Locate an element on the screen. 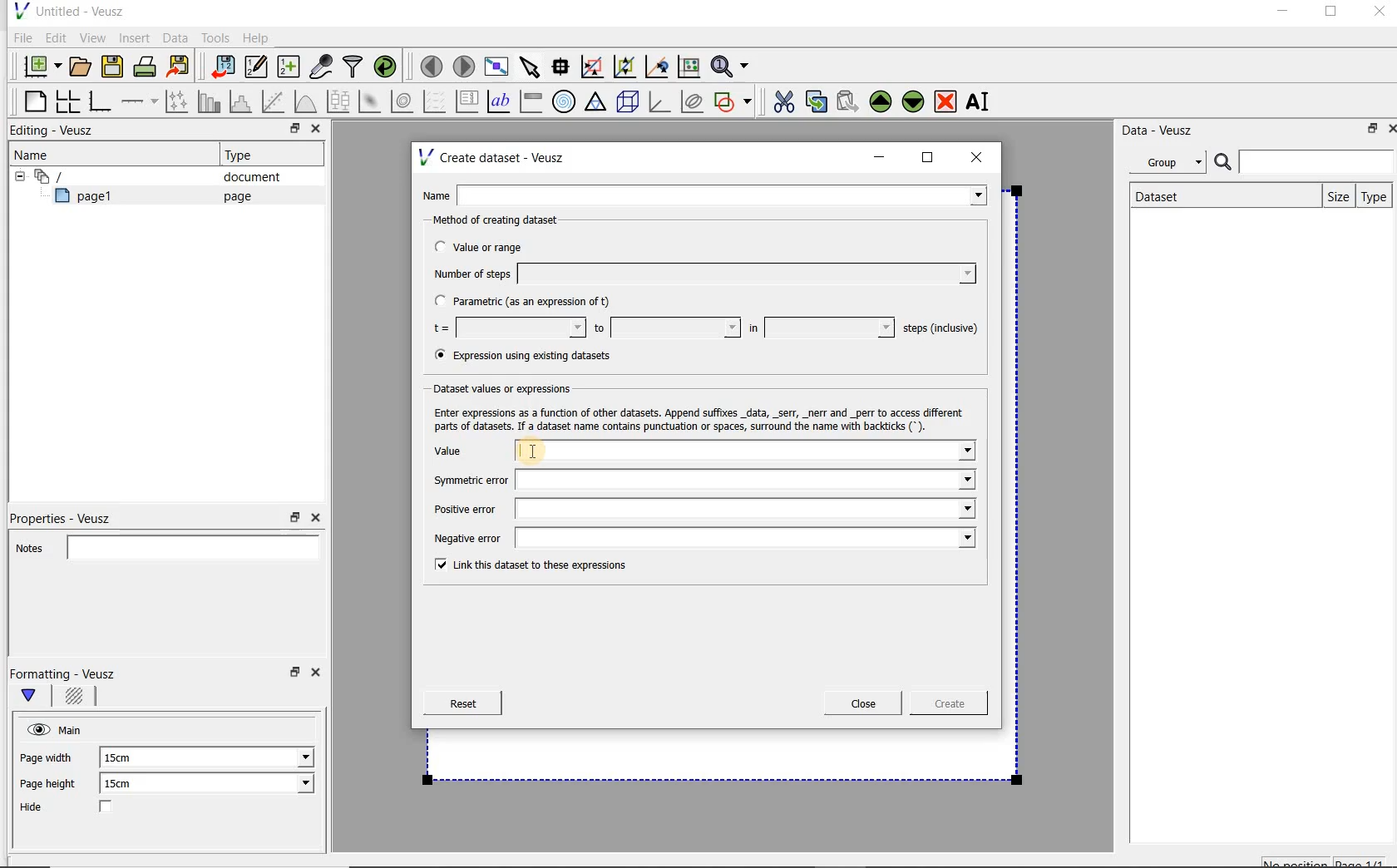 The image size is (1397, 868). Close is located at coordinates (318, 675).